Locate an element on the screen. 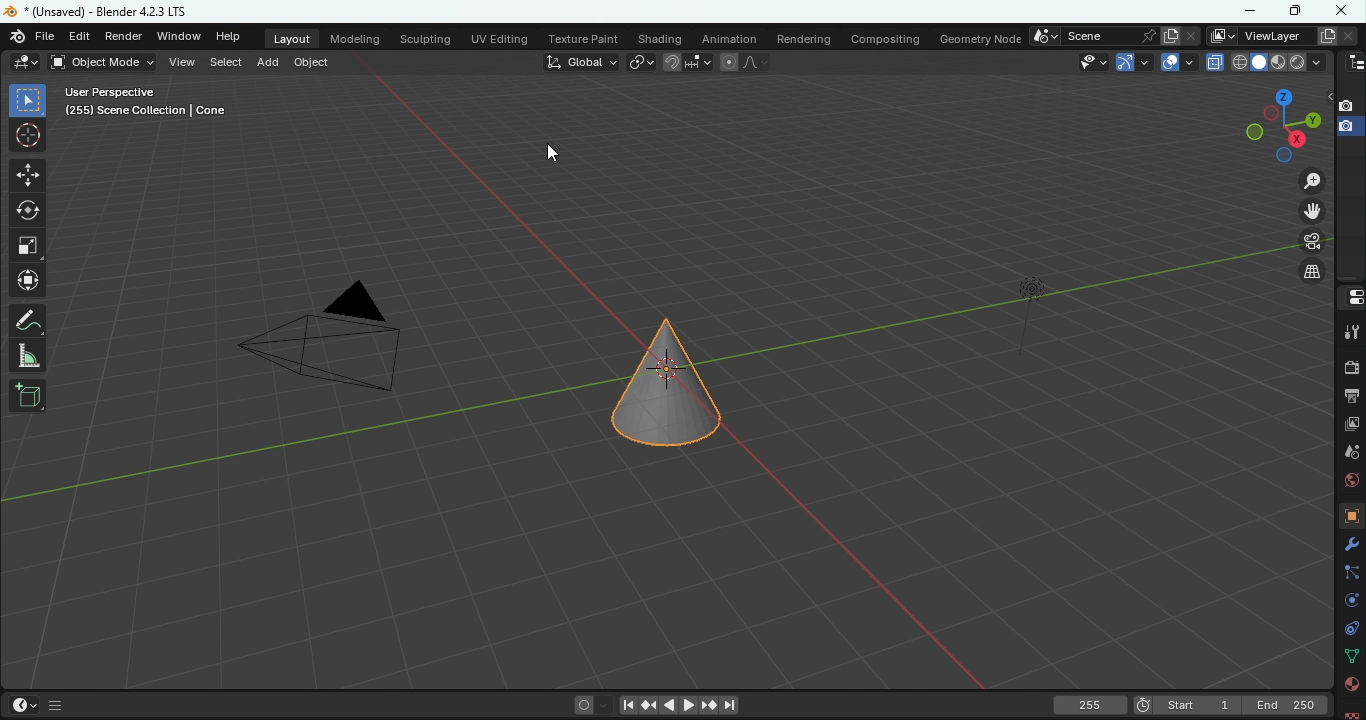 The height and width of the screenshot is (720, 1366). Render is located at coordinates (126, 36).